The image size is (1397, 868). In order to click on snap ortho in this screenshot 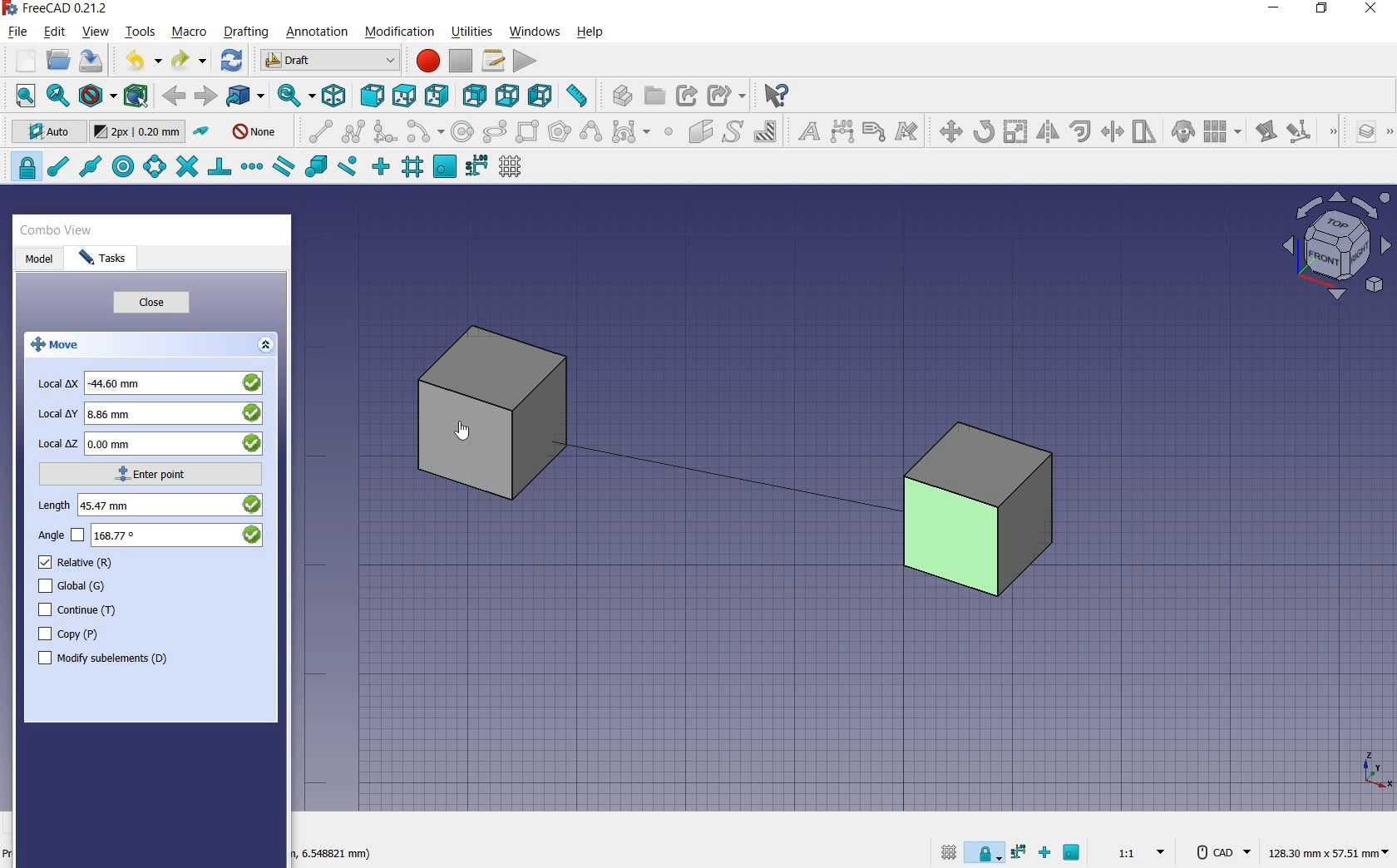, I will do `click(379, 165)`.